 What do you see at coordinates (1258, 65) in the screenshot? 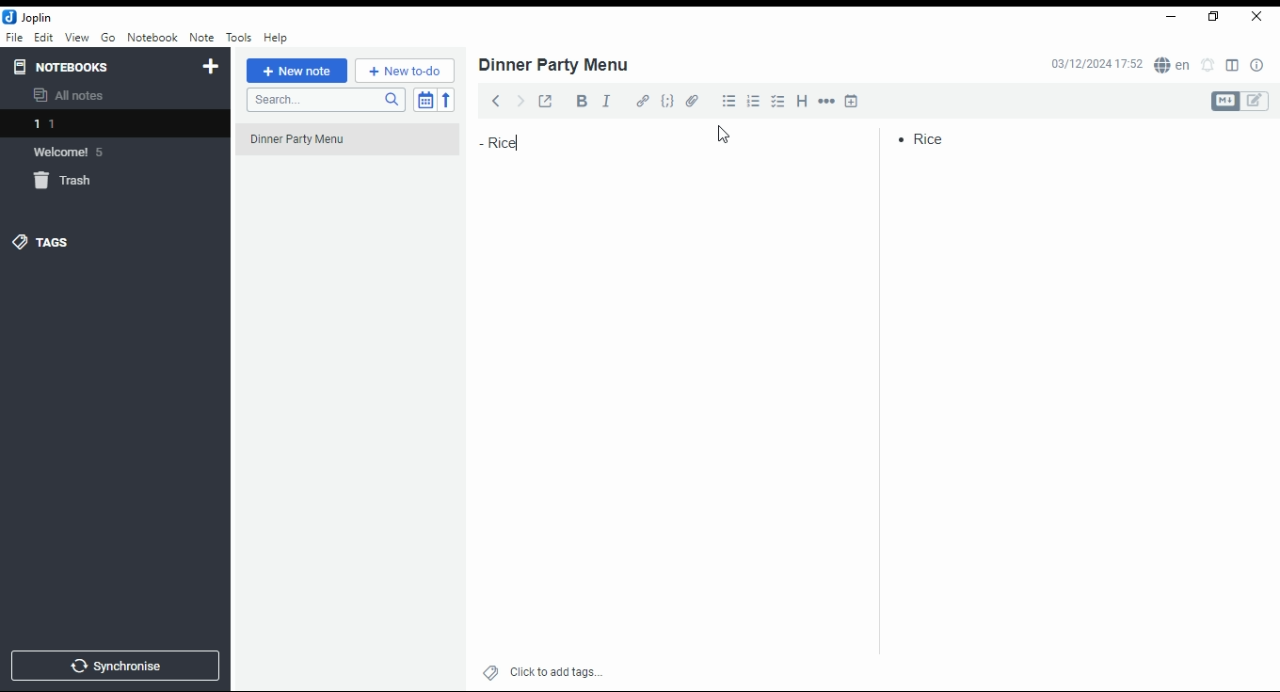
I see `notes properties` at bounding box center [1258, 65].